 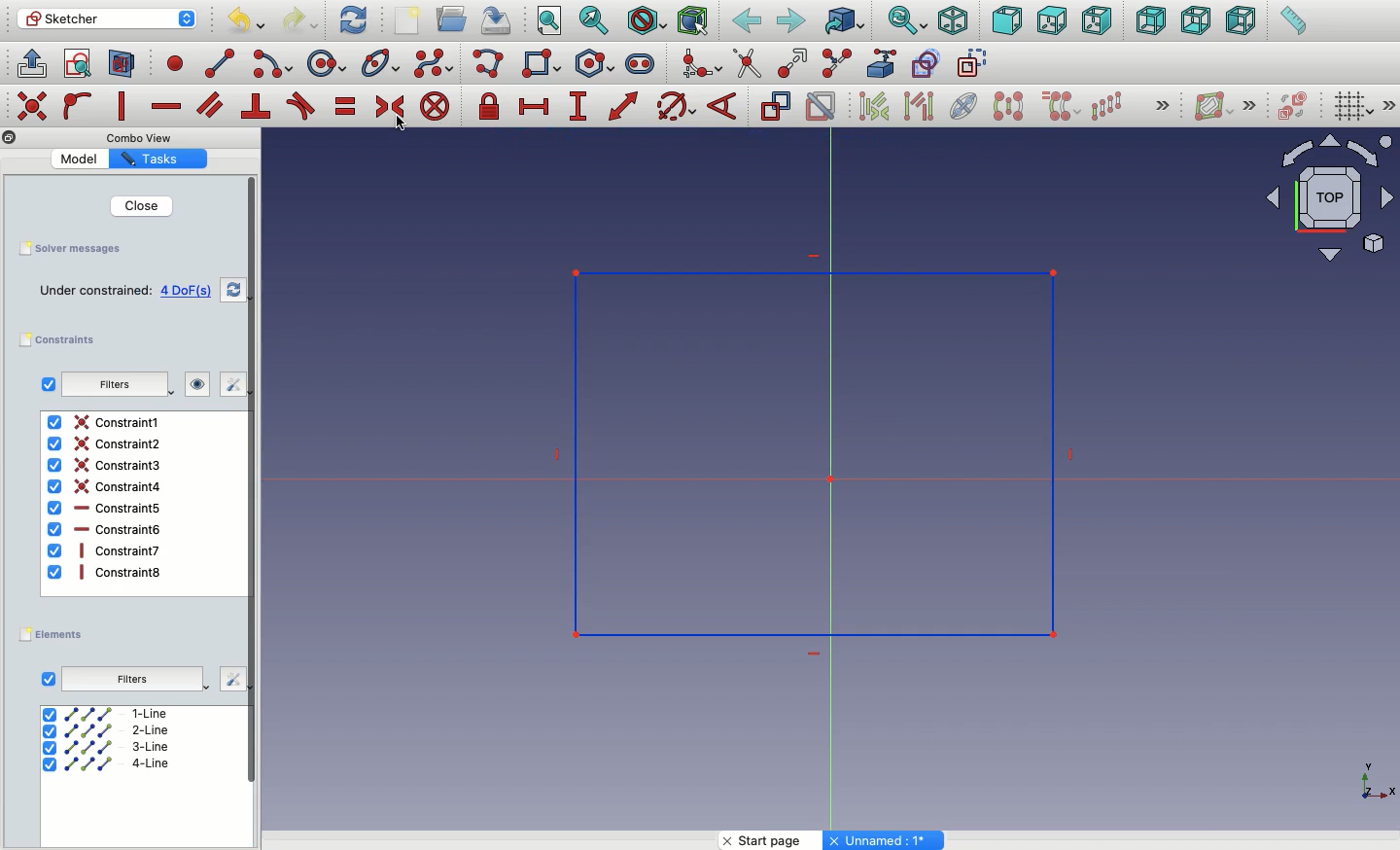 I want to click on Axis, so click(x=1374, y=775).